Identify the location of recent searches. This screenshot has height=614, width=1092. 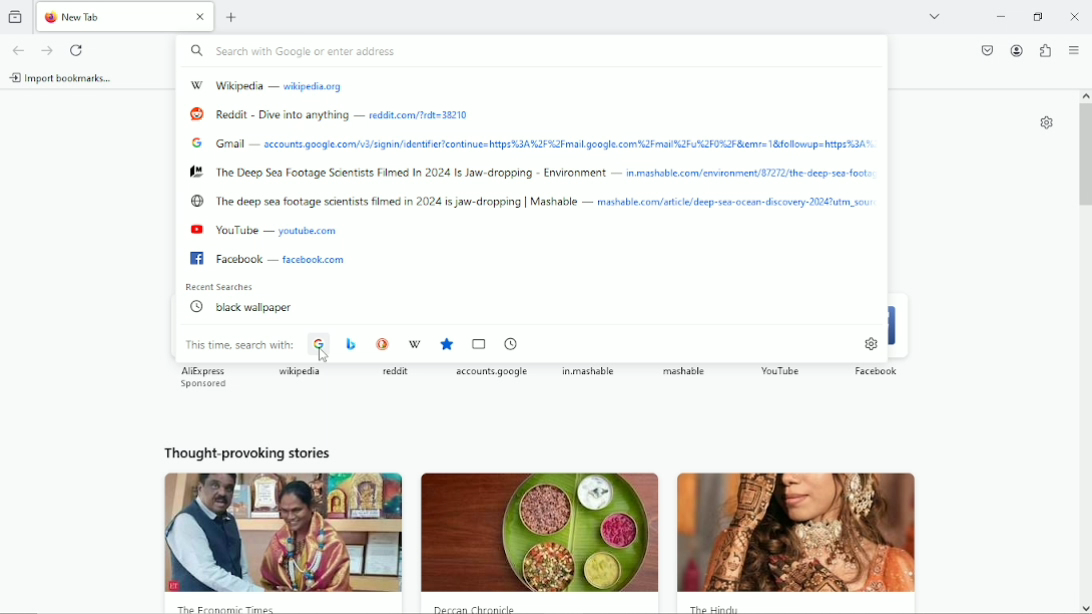
(223, 287).